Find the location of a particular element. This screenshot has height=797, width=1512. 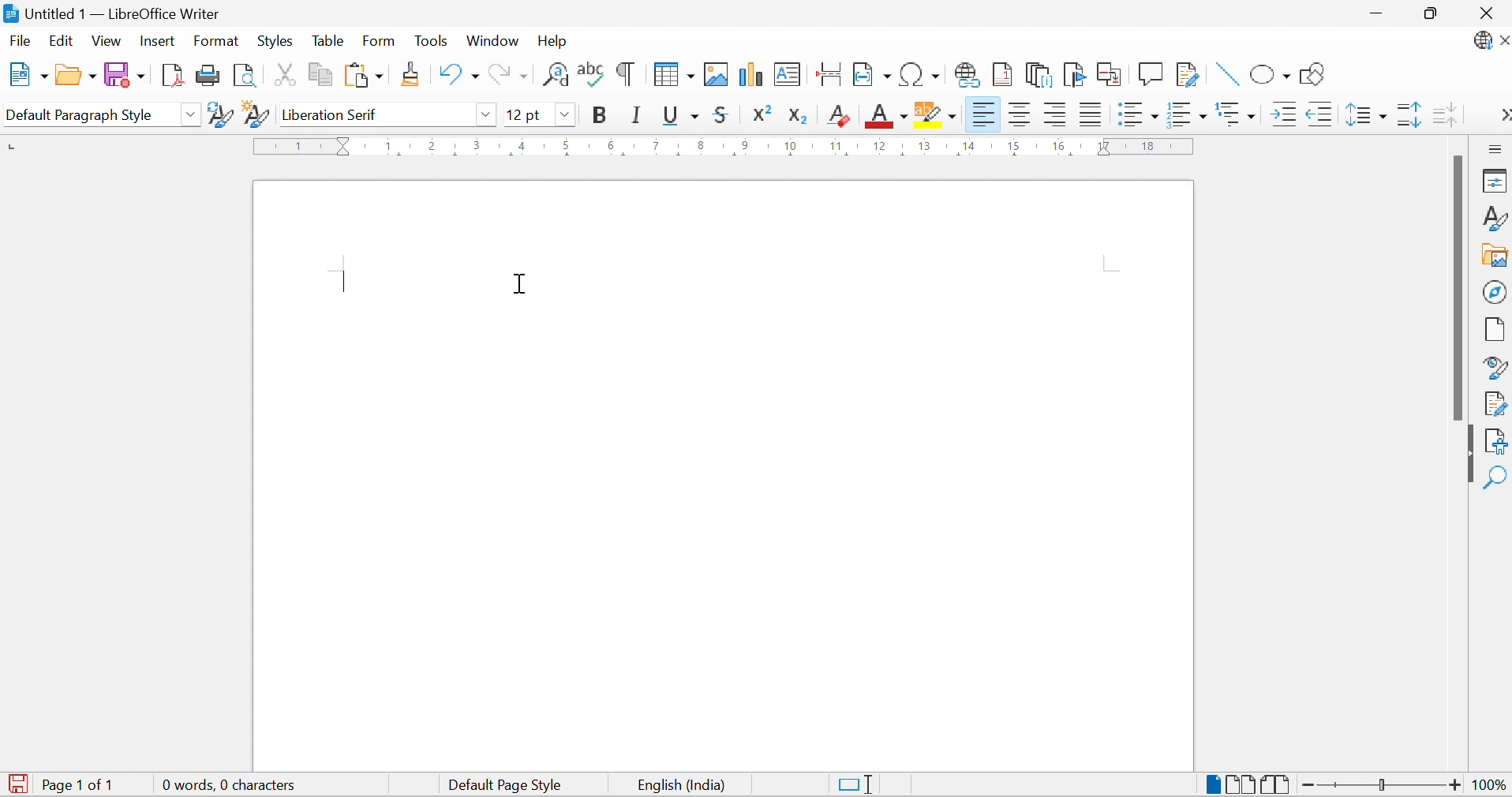

New Style from Selection is located at coordinates (256, 114).